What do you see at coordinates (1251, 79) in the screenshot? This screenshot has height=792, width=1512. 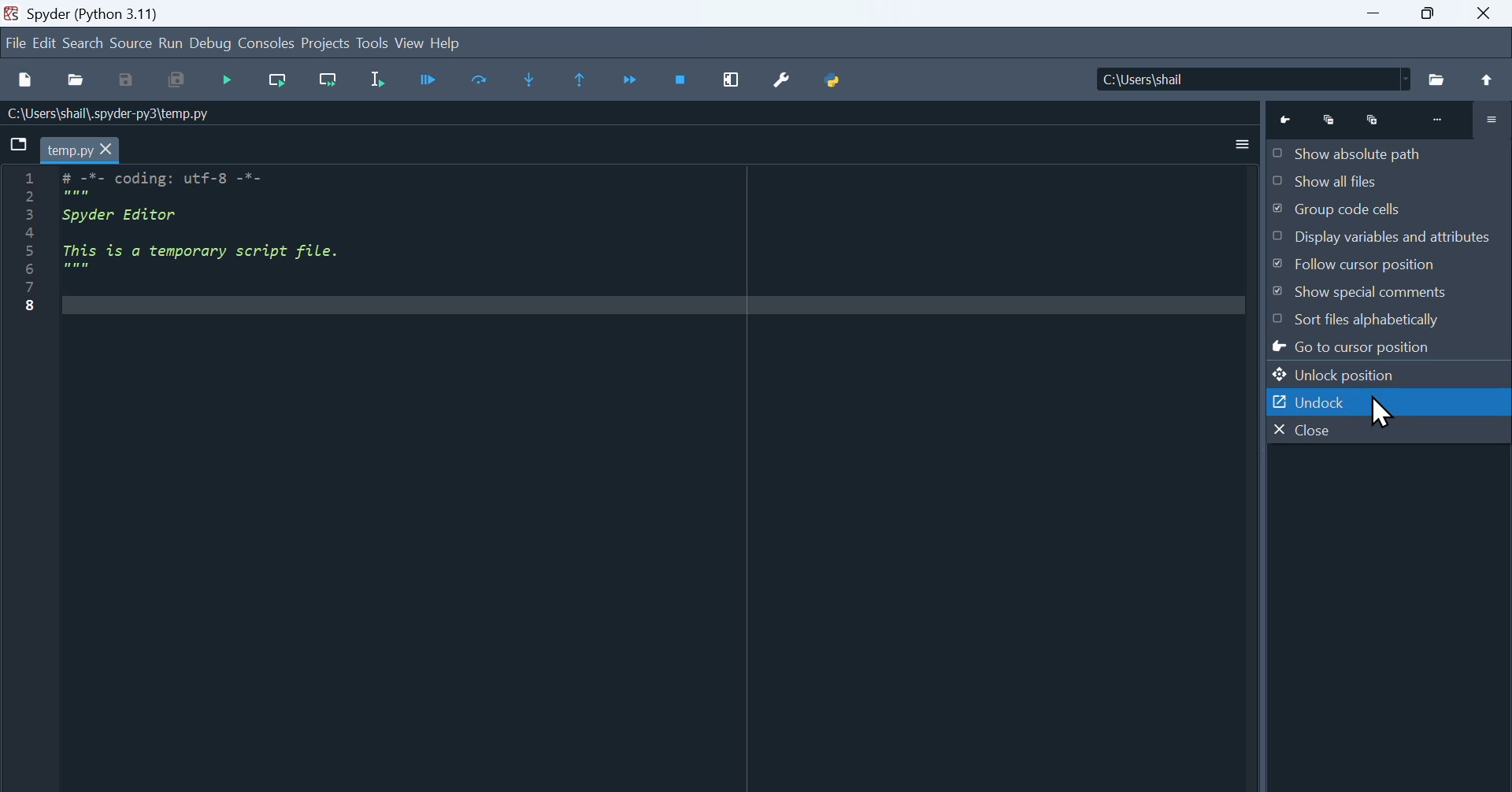 I see `C:\Users\shall` at bounding box center [1251, 79].